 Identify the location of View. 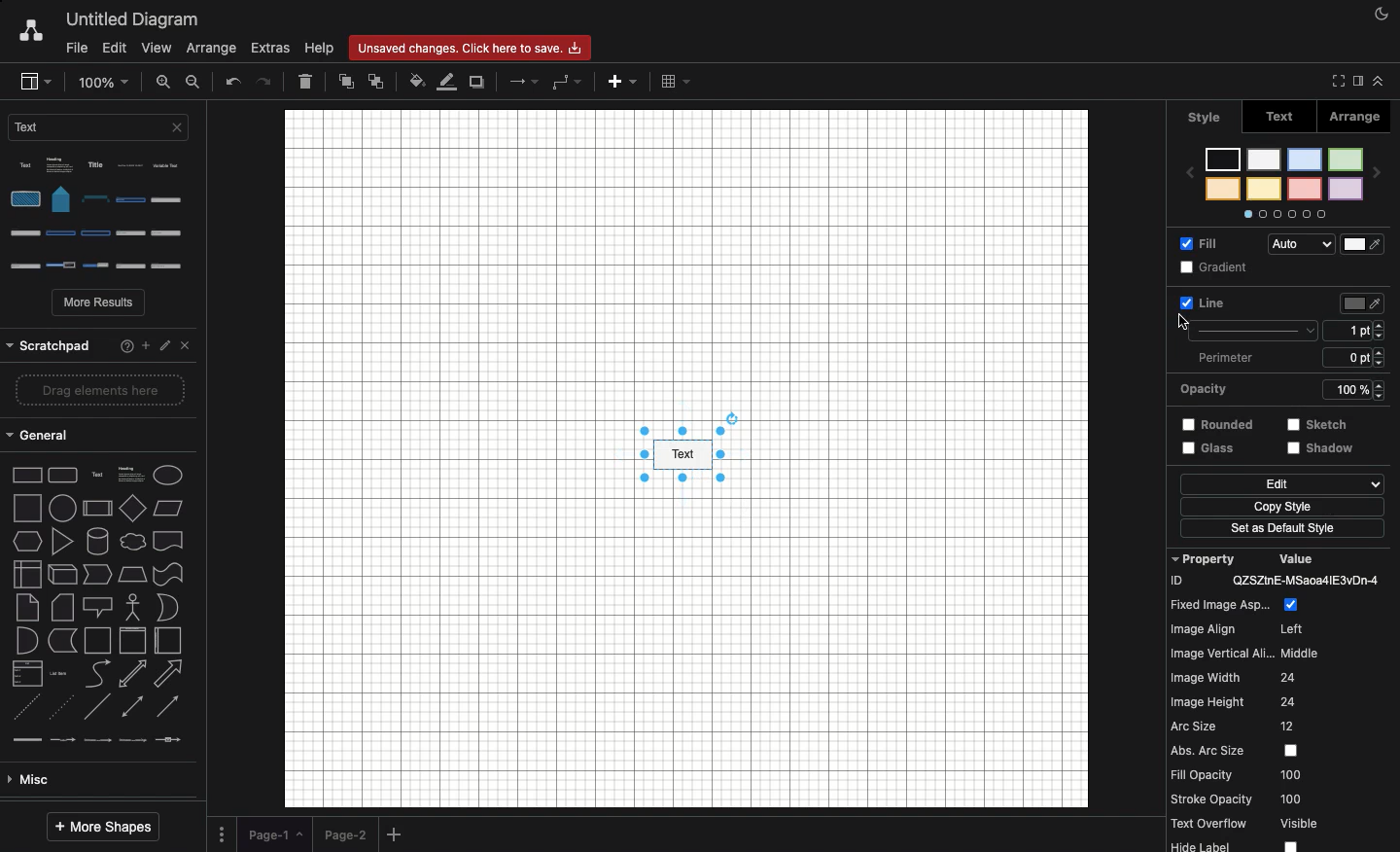
(157, 50).